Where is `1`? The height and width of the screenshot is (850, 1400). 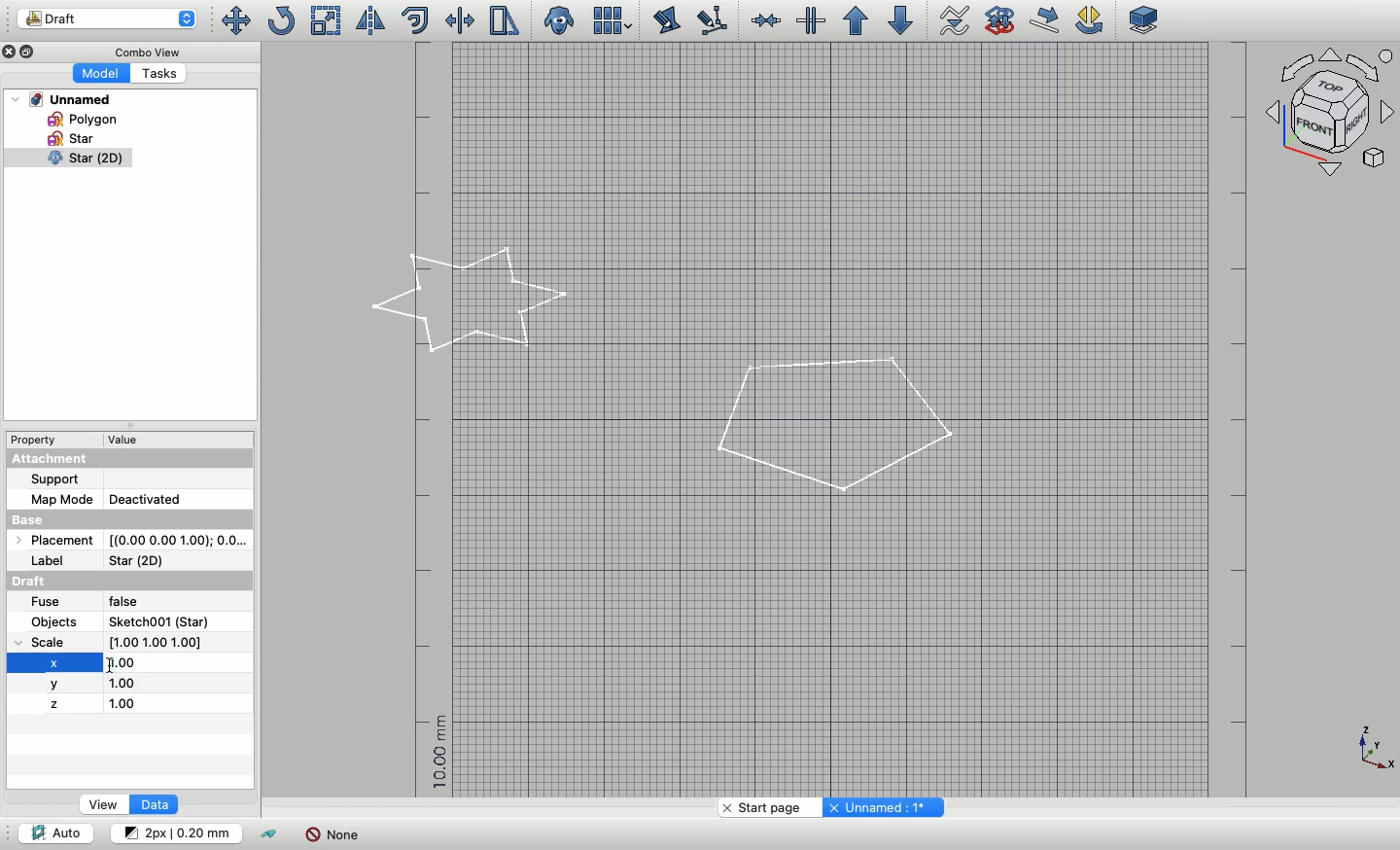 1 is located at coordinates (138, 684).